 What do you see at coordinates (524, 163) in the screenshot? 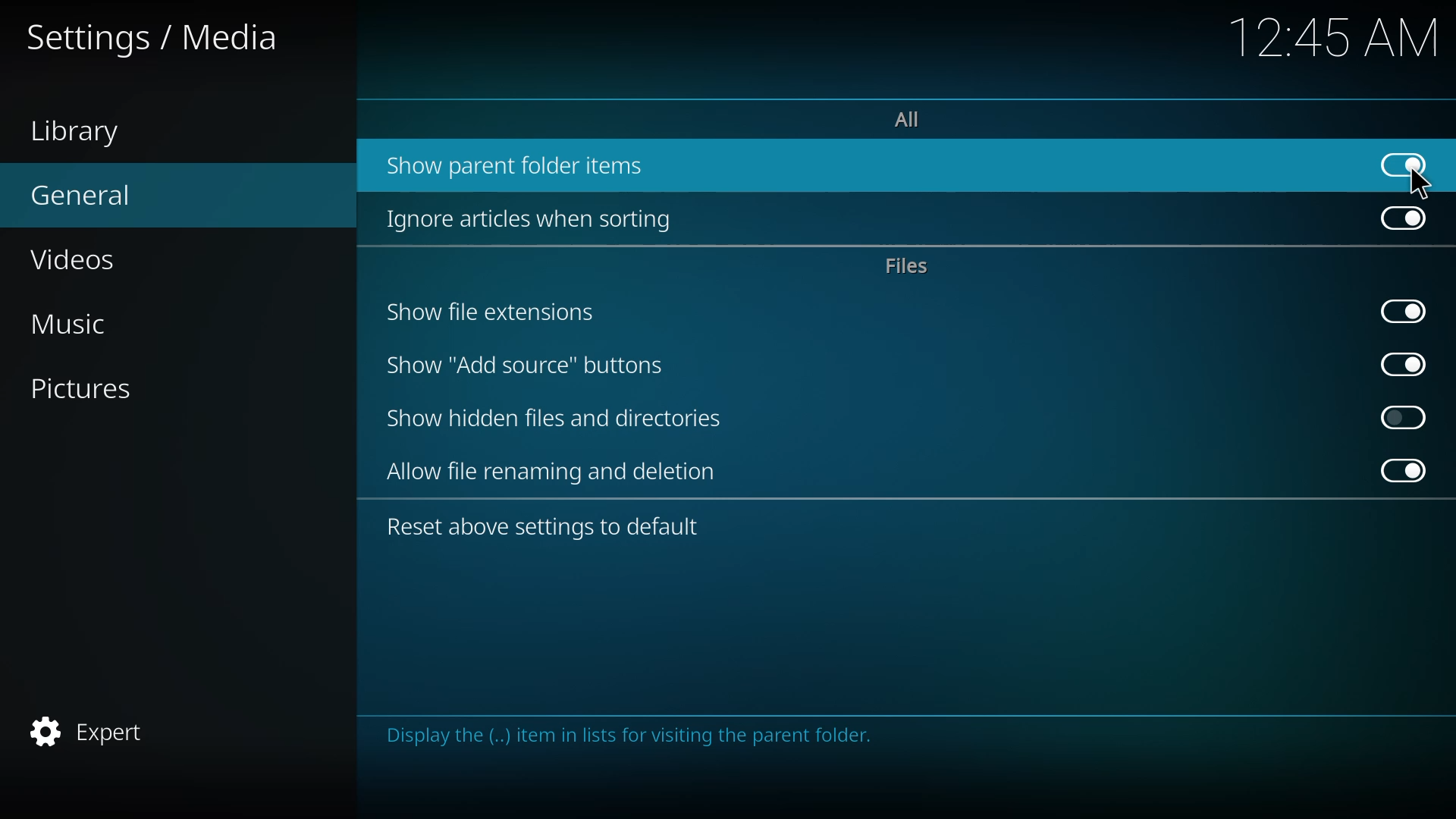
I see `show parent folder items` at bounding box center [524, 163].